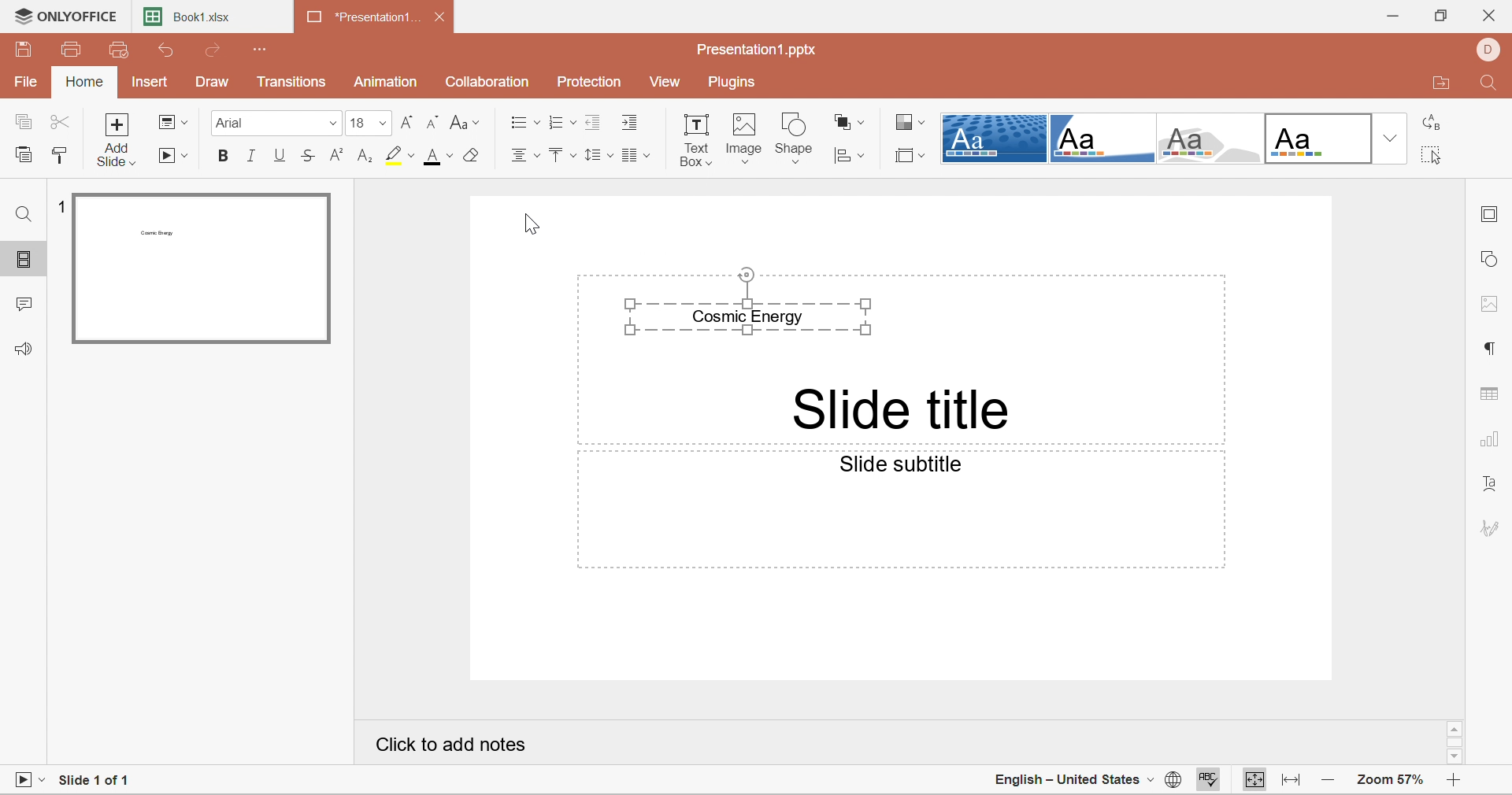  Describe the element at coordinates (67, 15) in the screenshot. I see `ONLYOFFICE` at that location.